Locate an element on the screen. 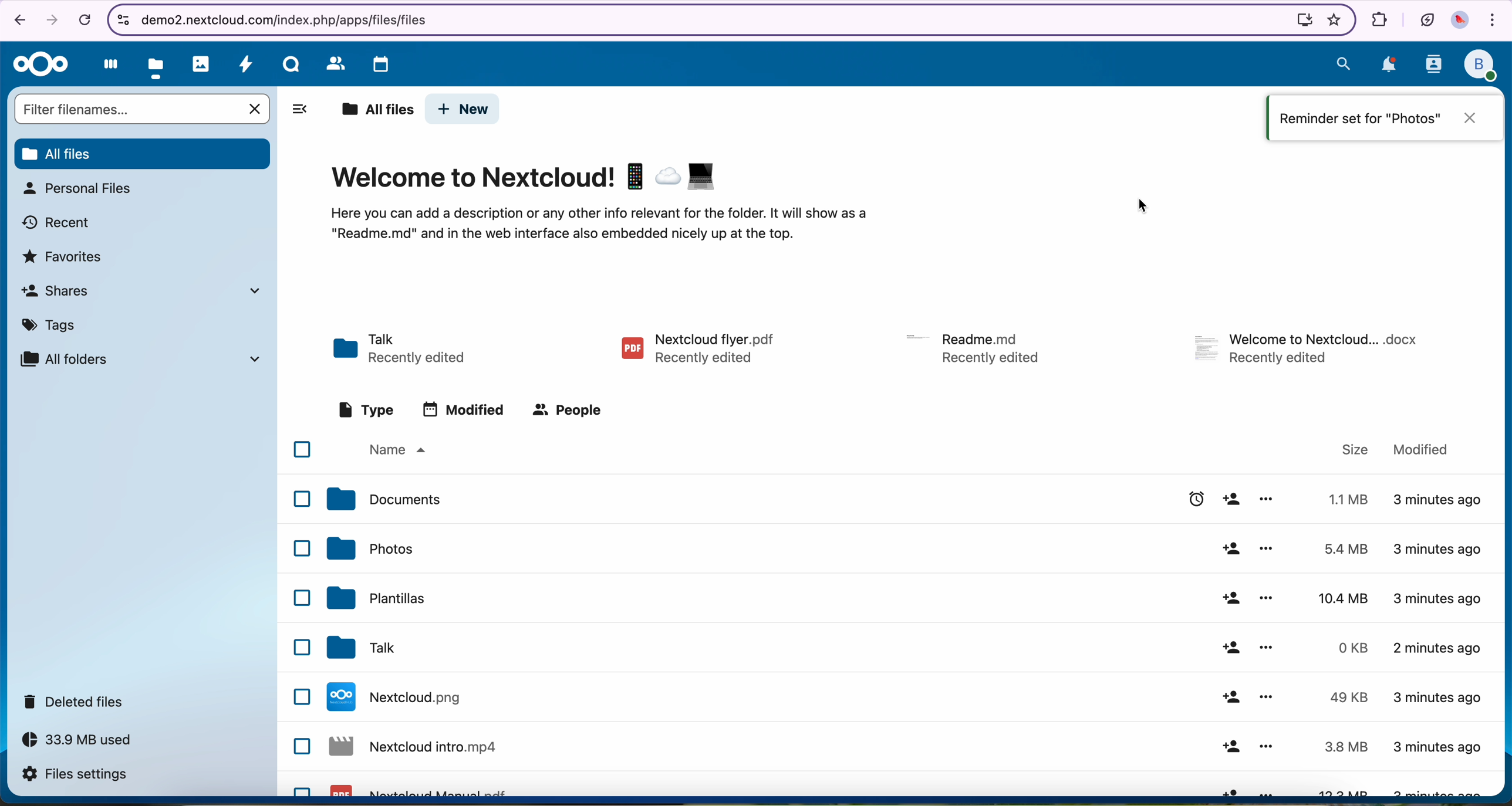  share is located at coordinates (1229, 648).